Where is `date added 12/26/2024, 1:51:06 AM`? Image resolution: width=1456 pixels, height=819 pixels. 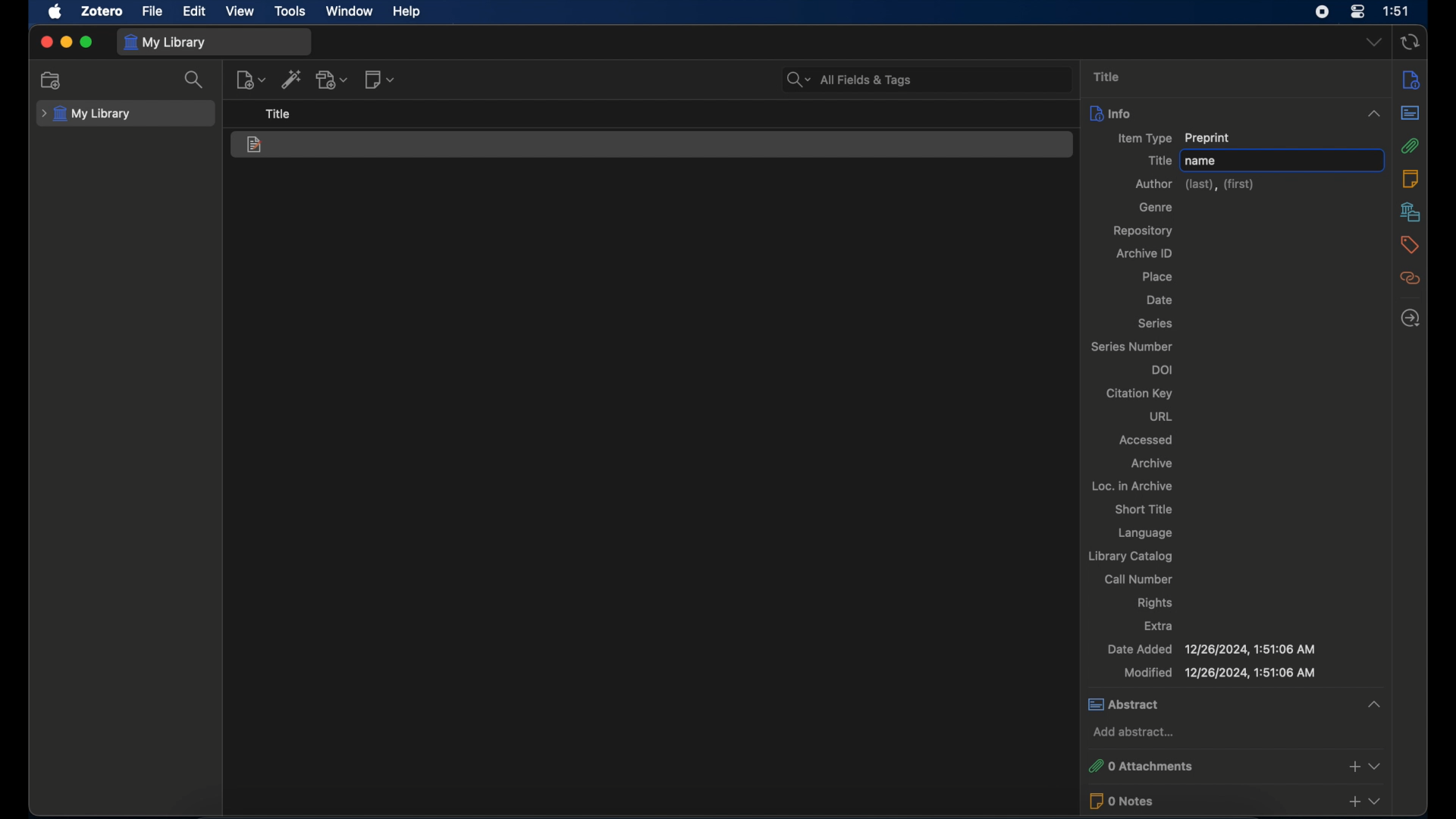
date added 12/26/2024, 1:51:06 AM is located at coordinates (1211, 649).